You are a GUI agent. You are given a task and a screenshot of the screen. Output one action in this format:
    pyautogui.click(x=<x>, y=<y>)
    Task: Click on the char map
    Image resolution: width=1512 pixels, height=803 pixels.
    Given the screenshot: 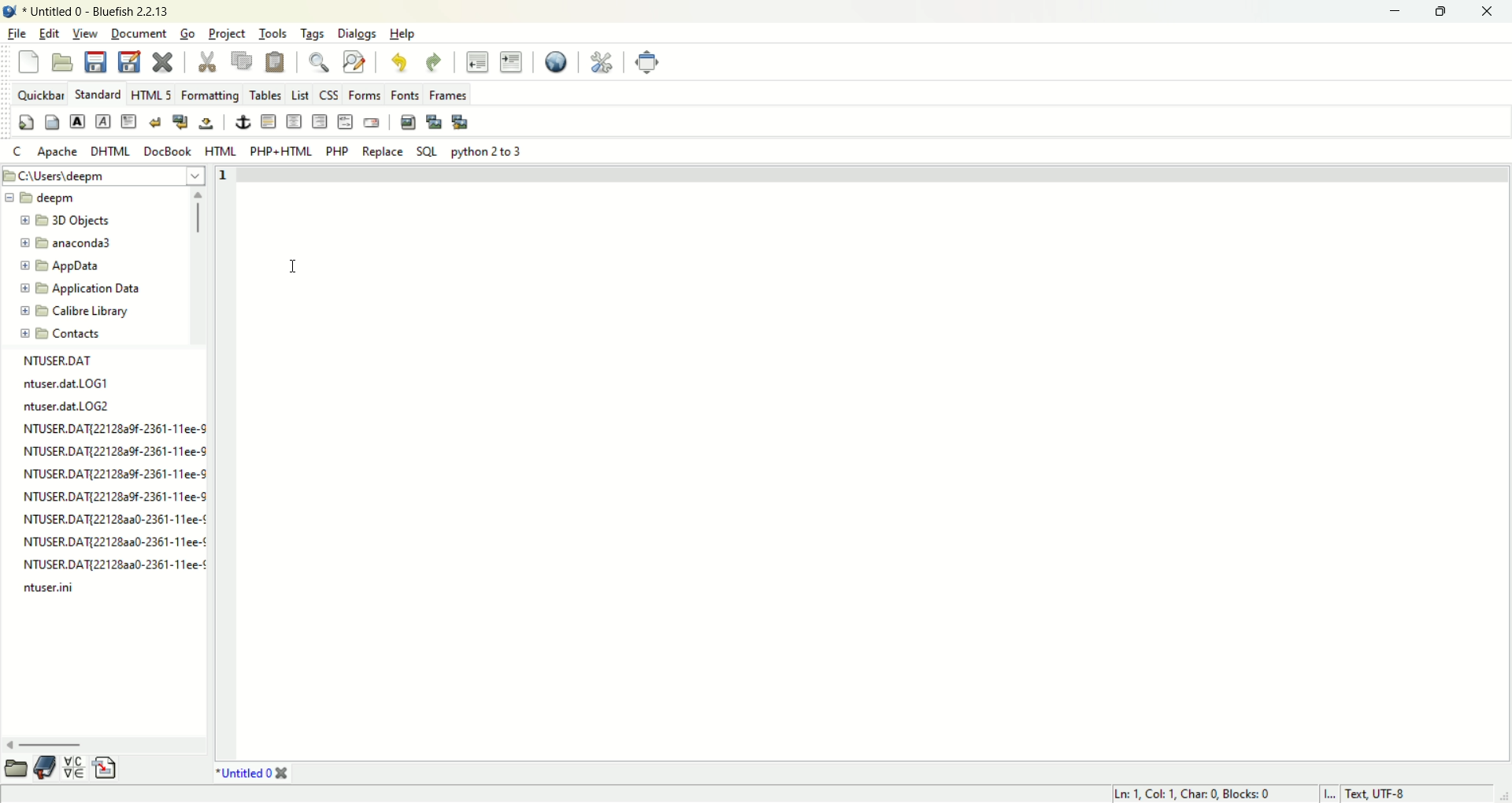 What is the action you would take?
    pyautogui.click(x=74, y=765)
    